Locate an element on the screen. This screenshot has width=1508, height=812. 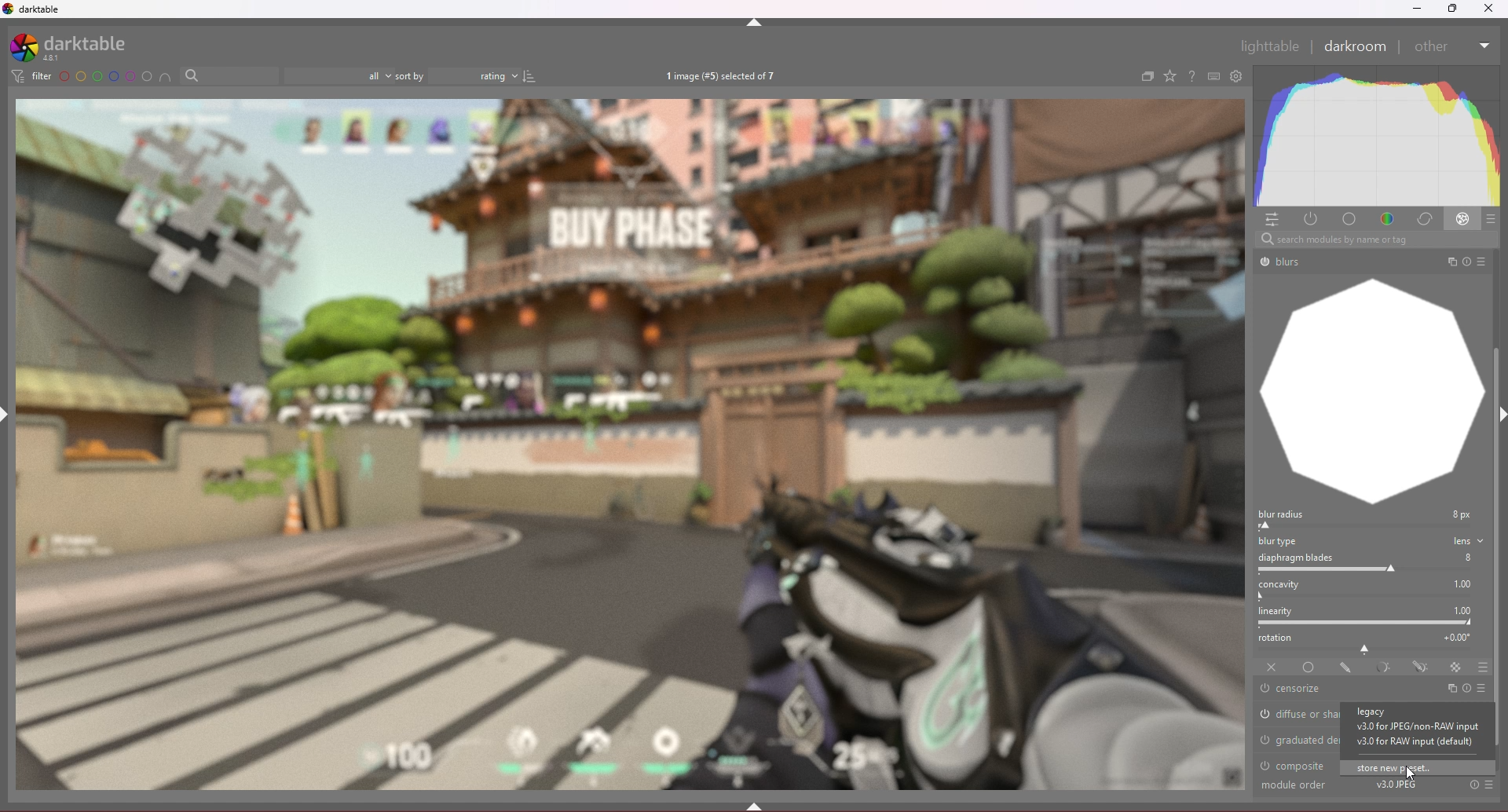
filter by text is located at coordinates (230, 75).